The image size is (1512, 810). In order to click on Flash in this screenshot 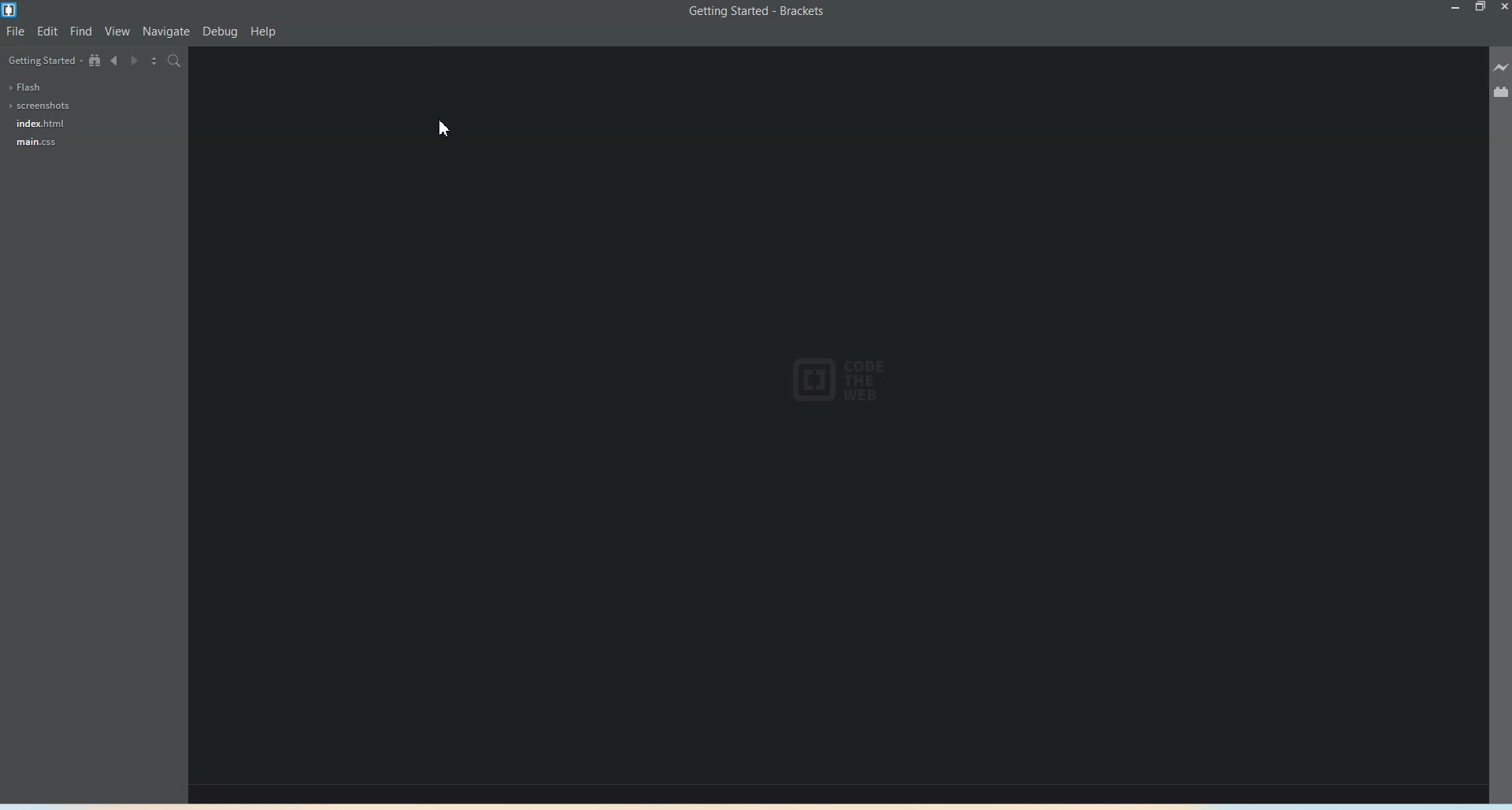, I will do `click(27, 87)`.